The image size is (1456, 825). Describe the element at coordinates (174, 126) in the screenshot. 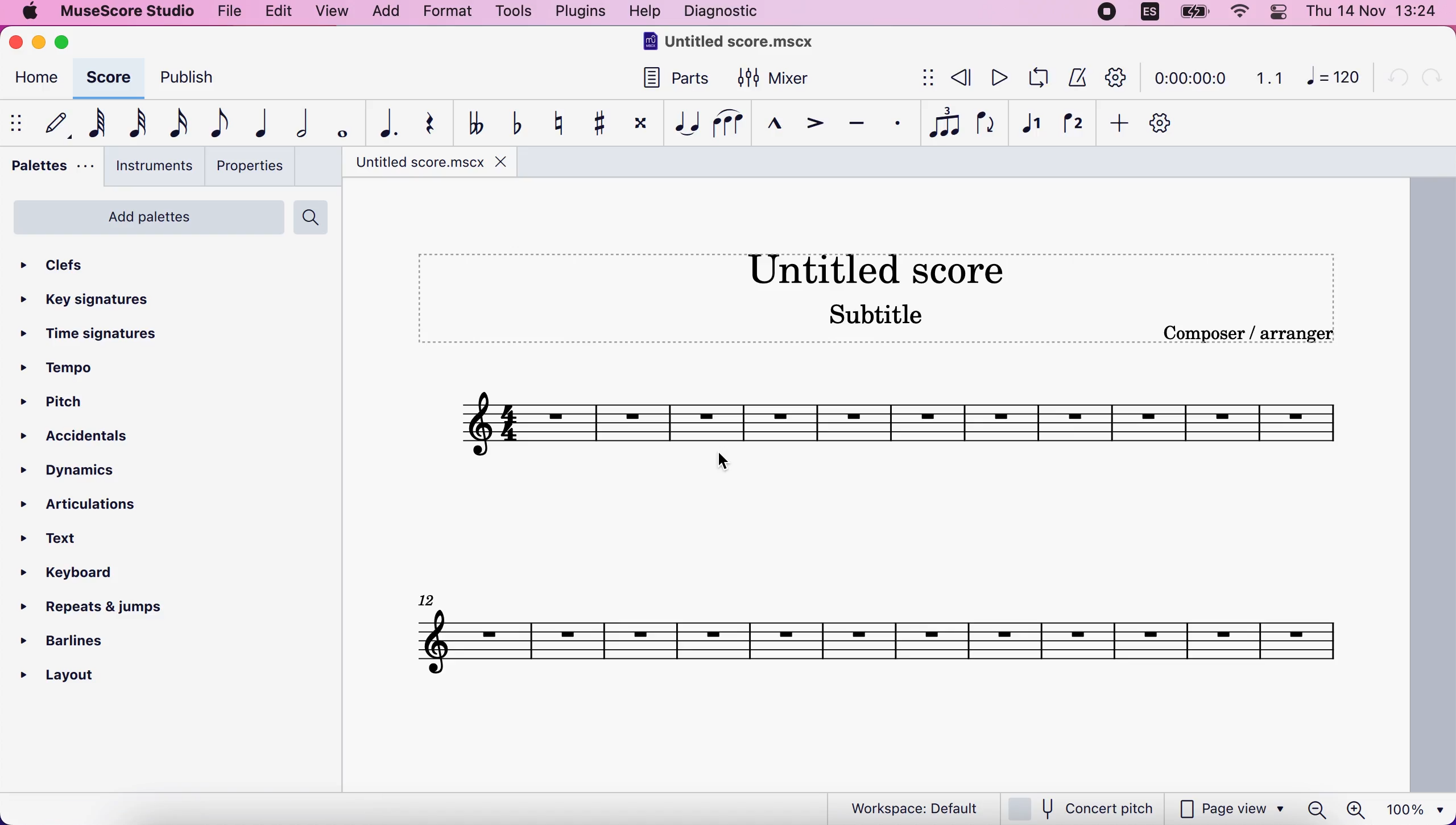

I see `16th note` at that location.